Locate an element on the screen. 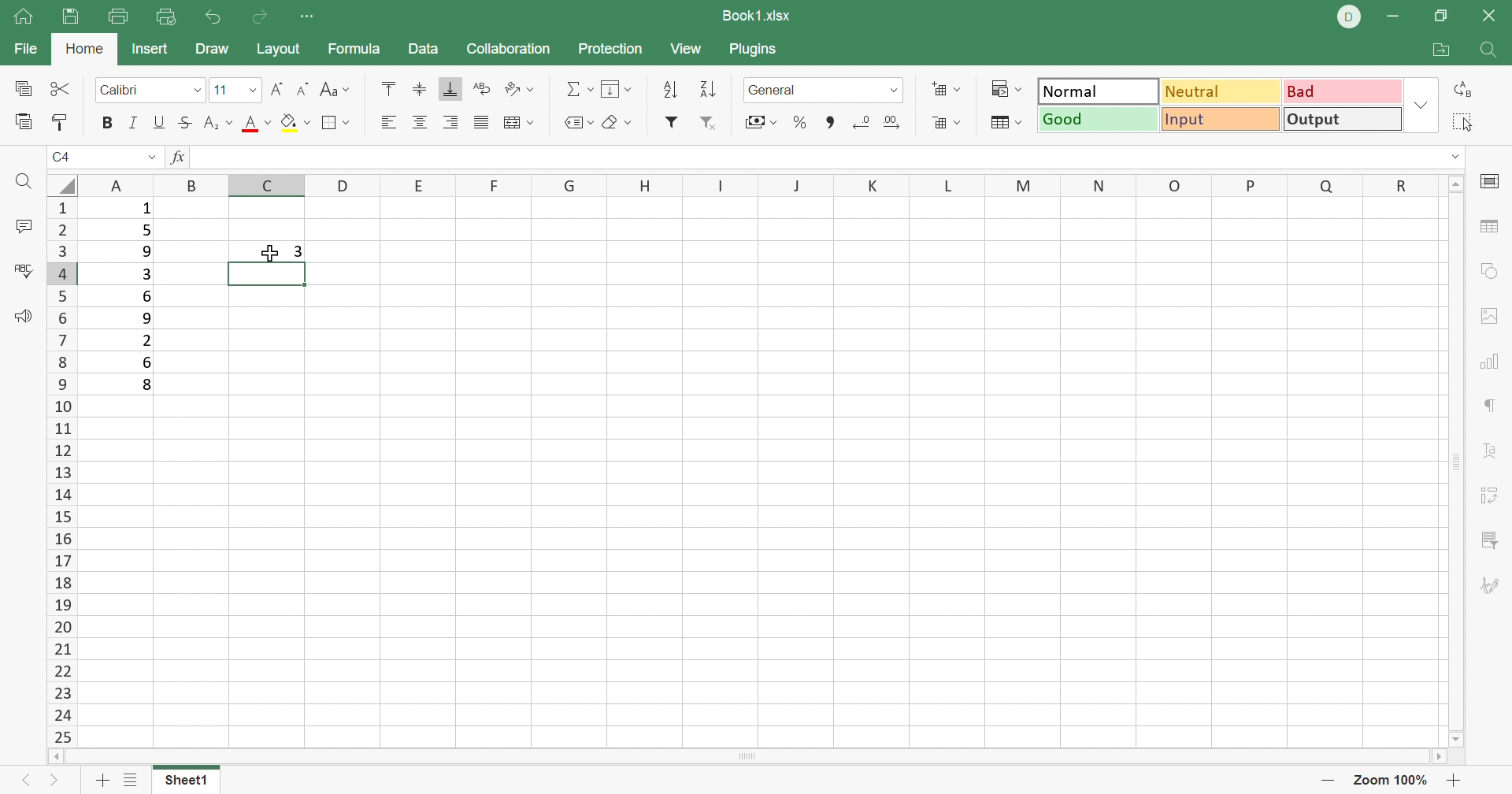 The height and width of the screenshot is (794, 1512). Zoom out 100% is located at coordinates (1390, 781).